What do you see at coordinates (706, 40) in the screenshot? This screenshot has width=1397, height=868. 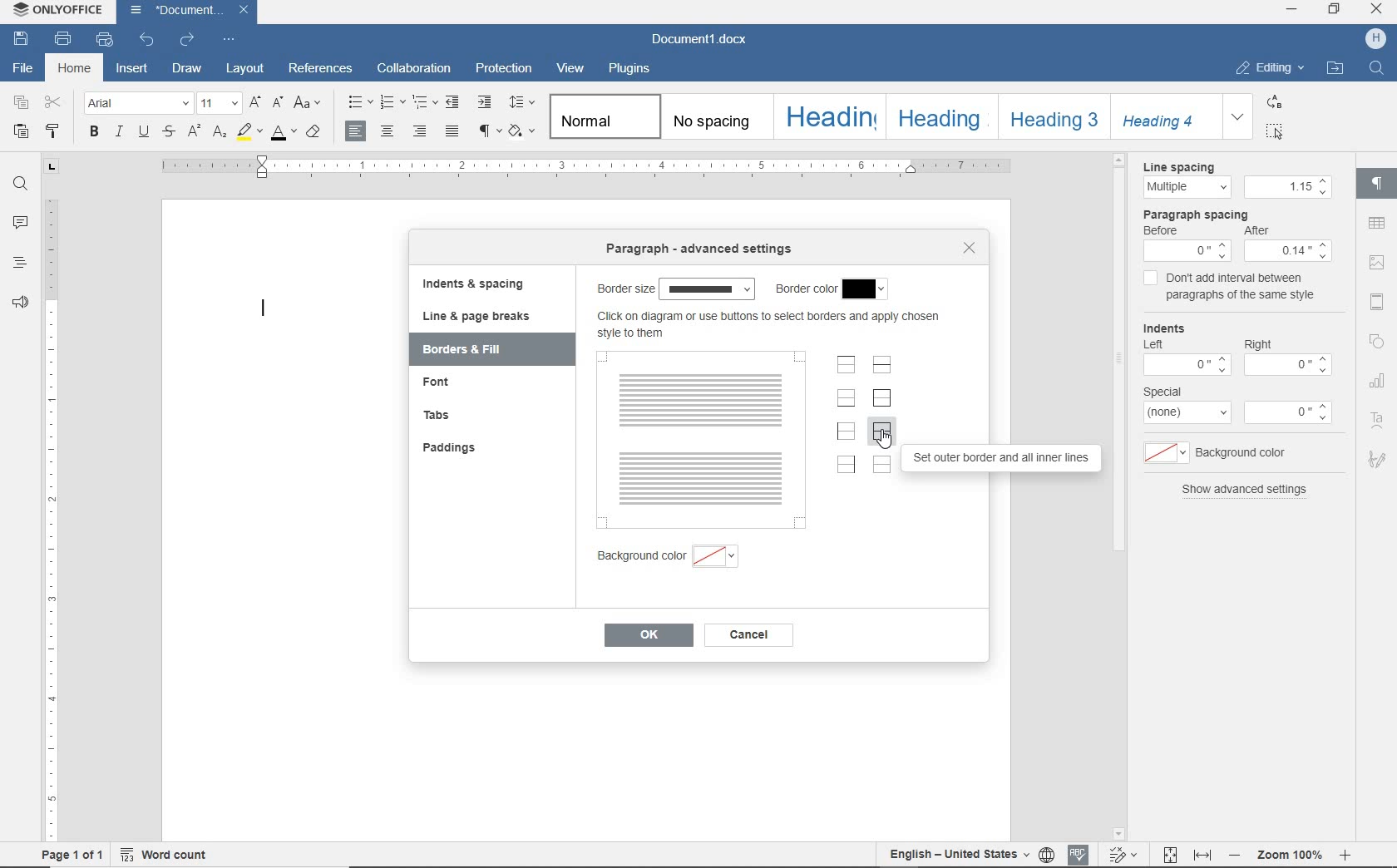 I see `Document1.docx(document name)` at bounding box center [706, 40].